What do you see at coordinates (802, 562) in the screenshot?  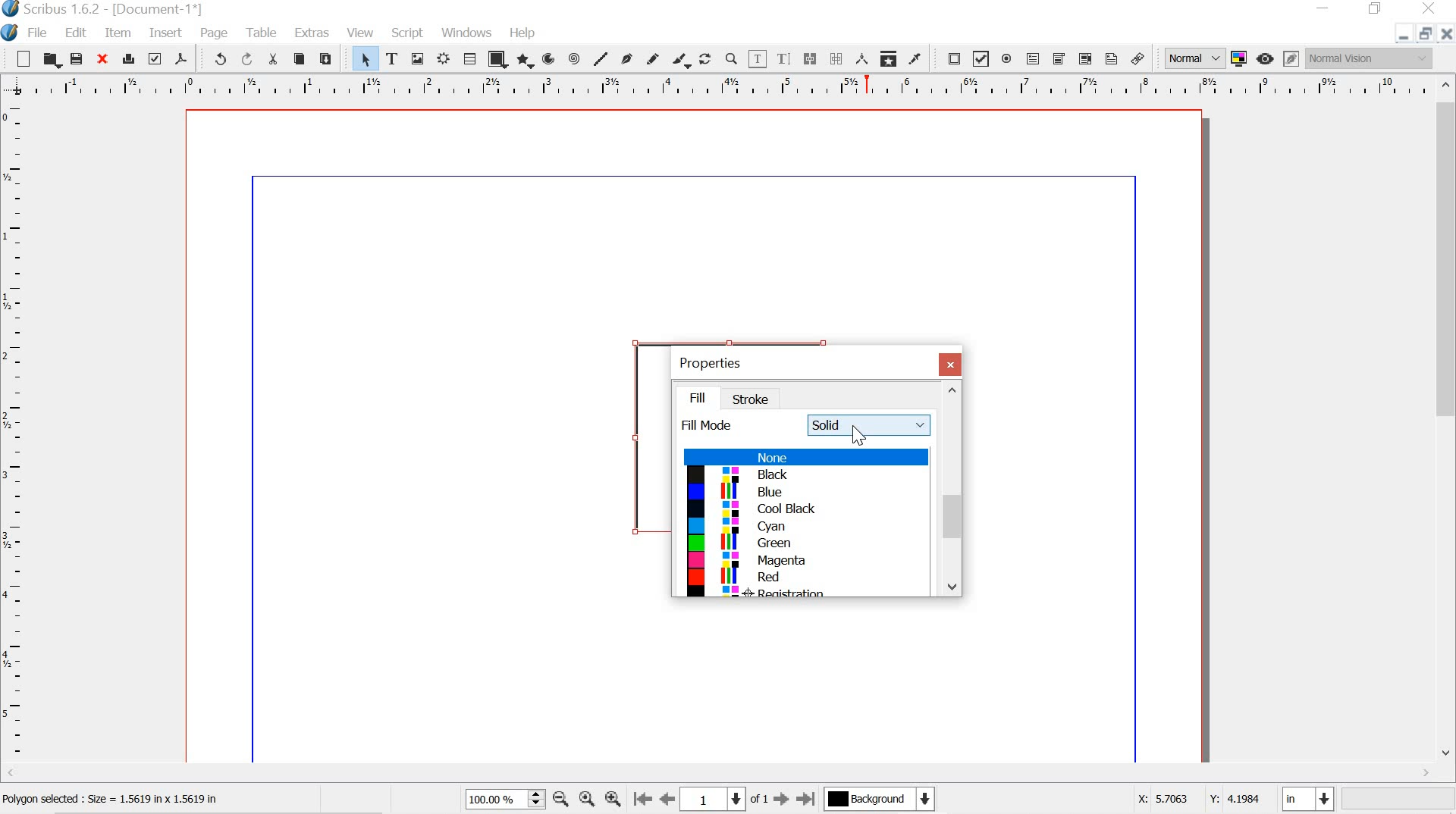 I see `magenta` at bounding box center [802, 562].